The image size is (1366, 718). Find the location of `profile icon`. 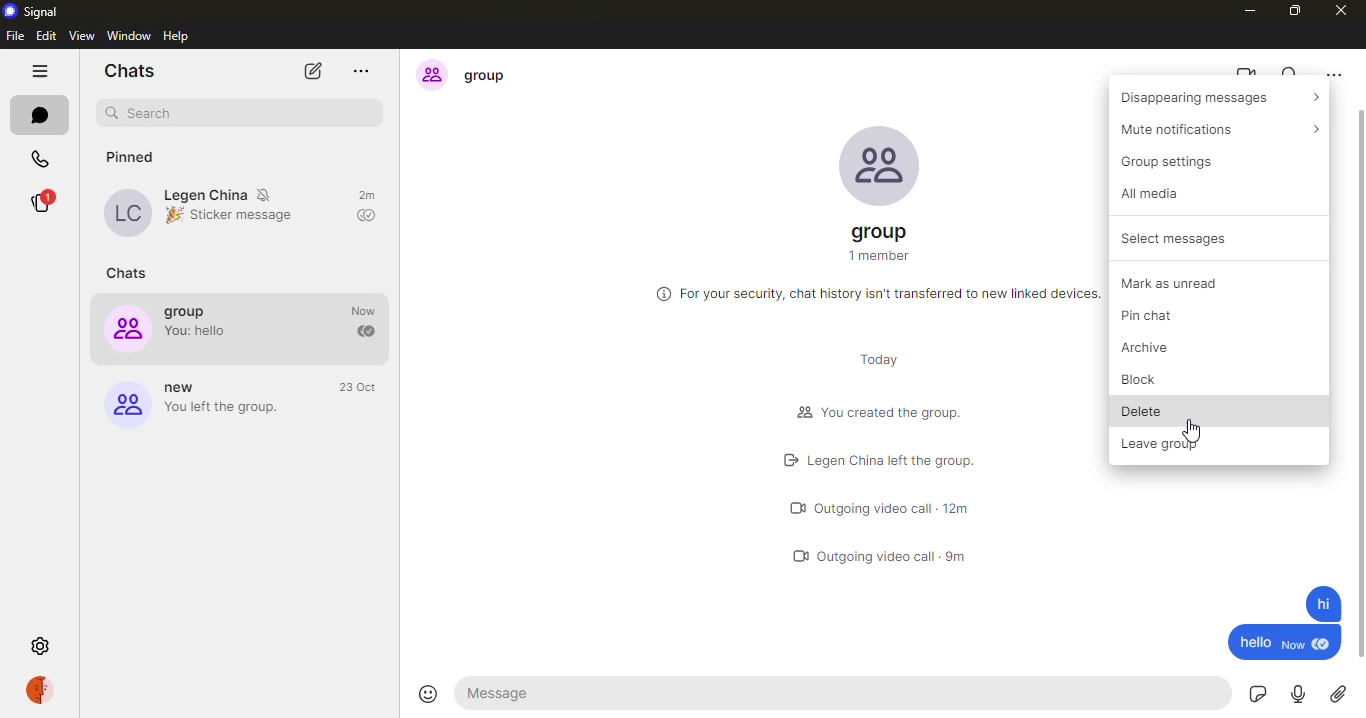

profile icon is located at coordinates (124, 408).